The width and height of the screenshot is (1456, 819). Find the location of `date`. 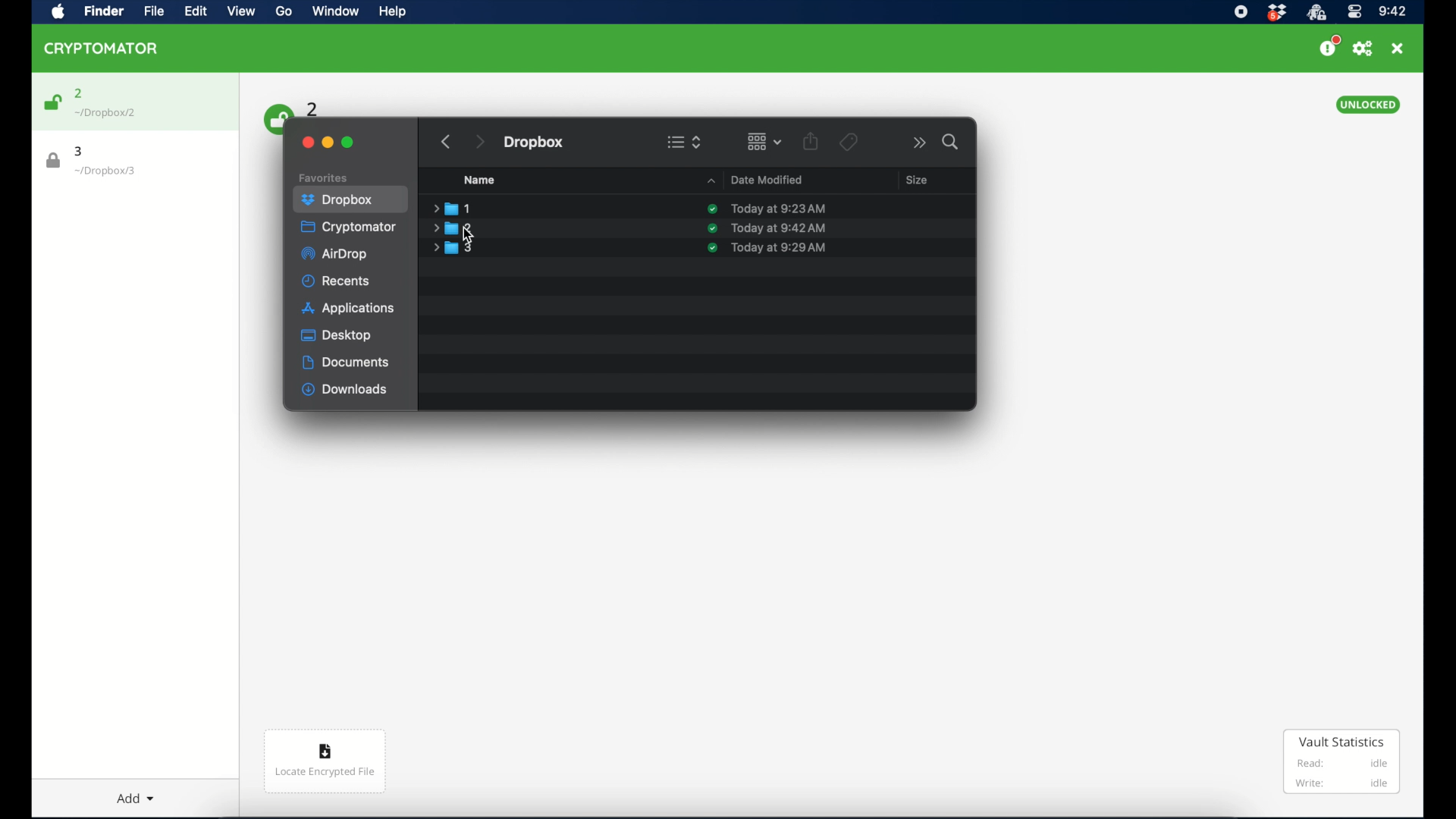

date is located at coordinates (779, 209).